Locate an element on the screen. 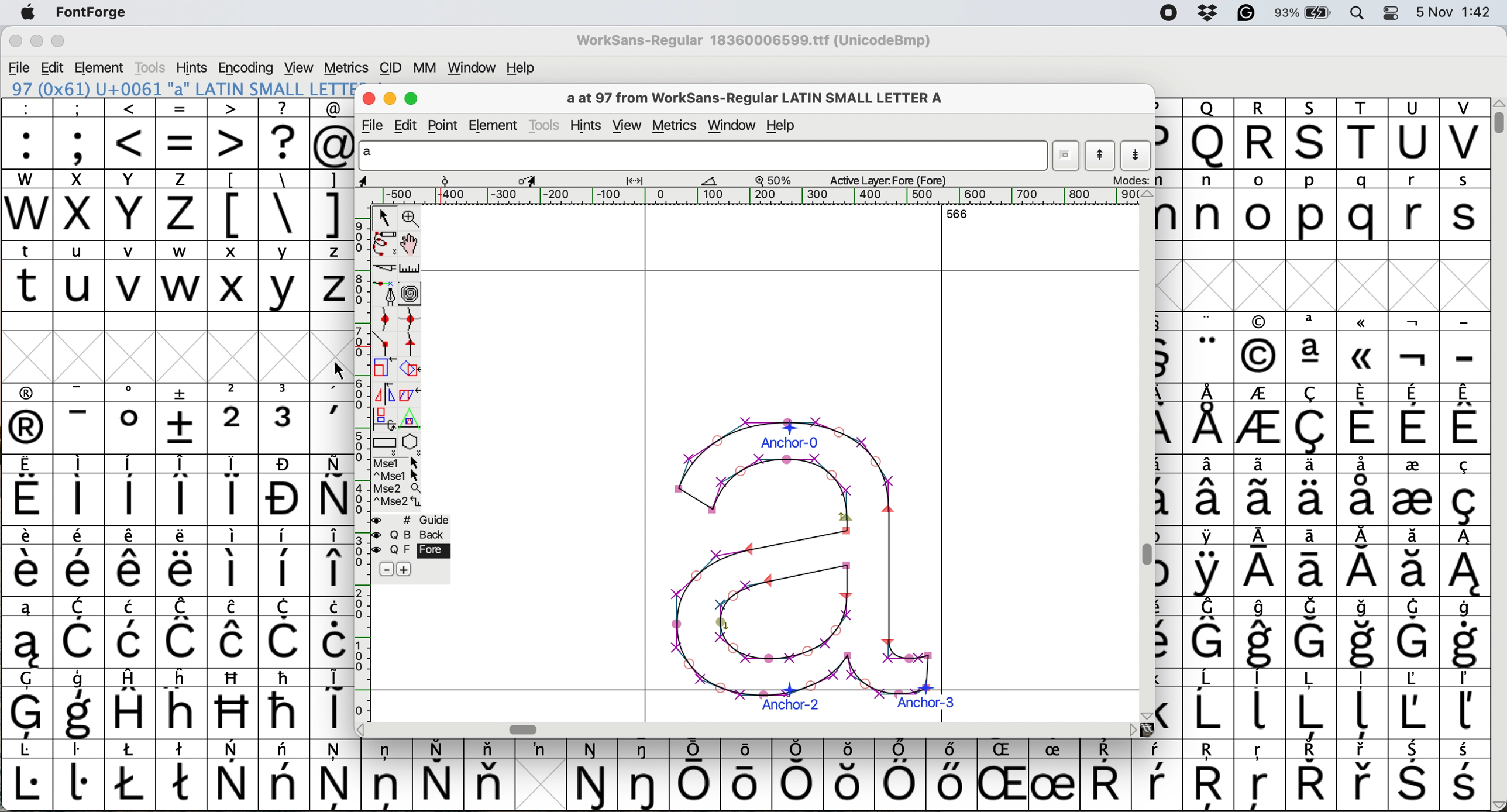 This screenshot has width=1507, height=812. symbol is located at coordinates (949, 774).